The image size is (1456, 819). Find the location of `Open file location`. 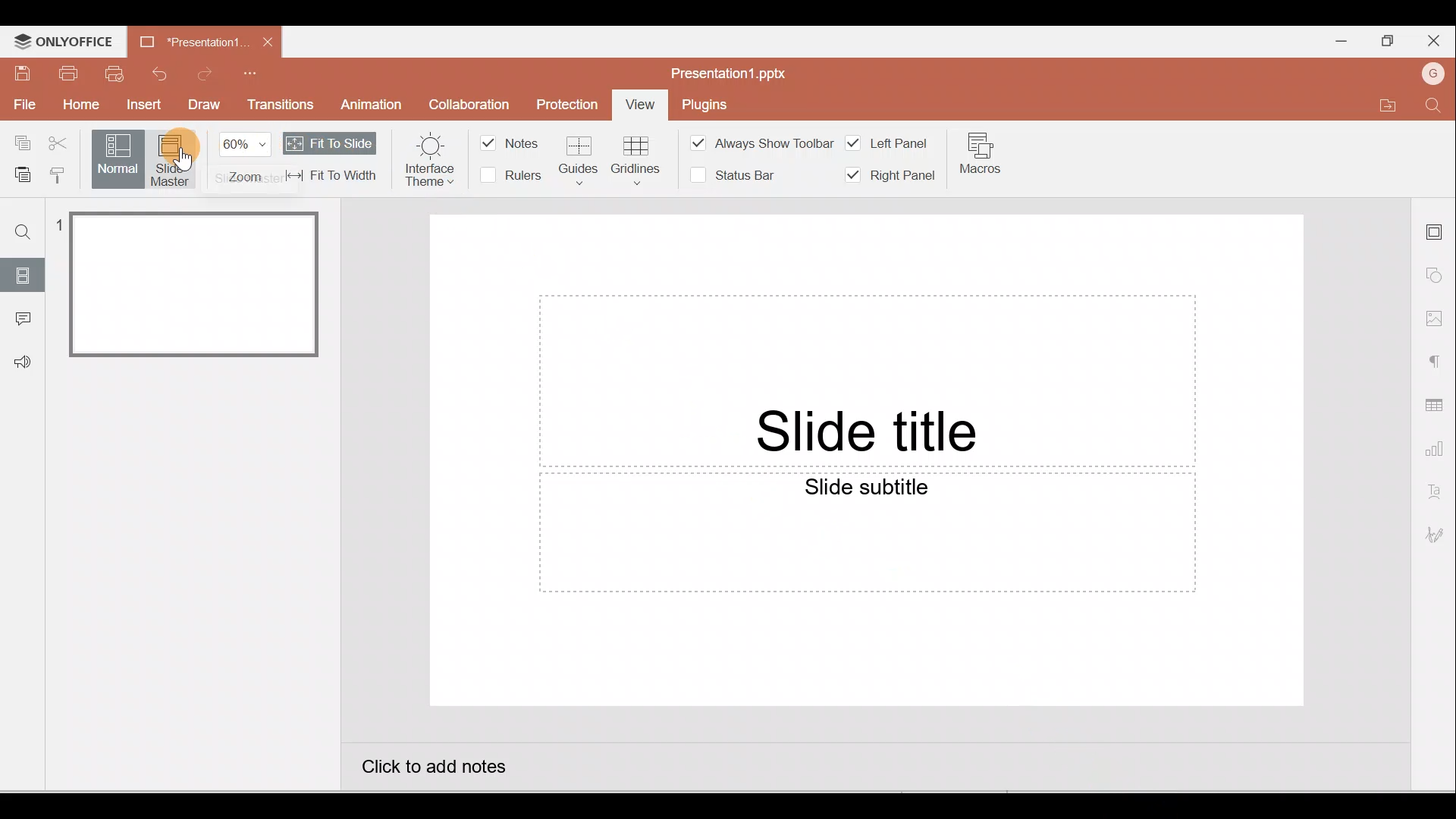

Open file location is located at coordinates (1388, 108).